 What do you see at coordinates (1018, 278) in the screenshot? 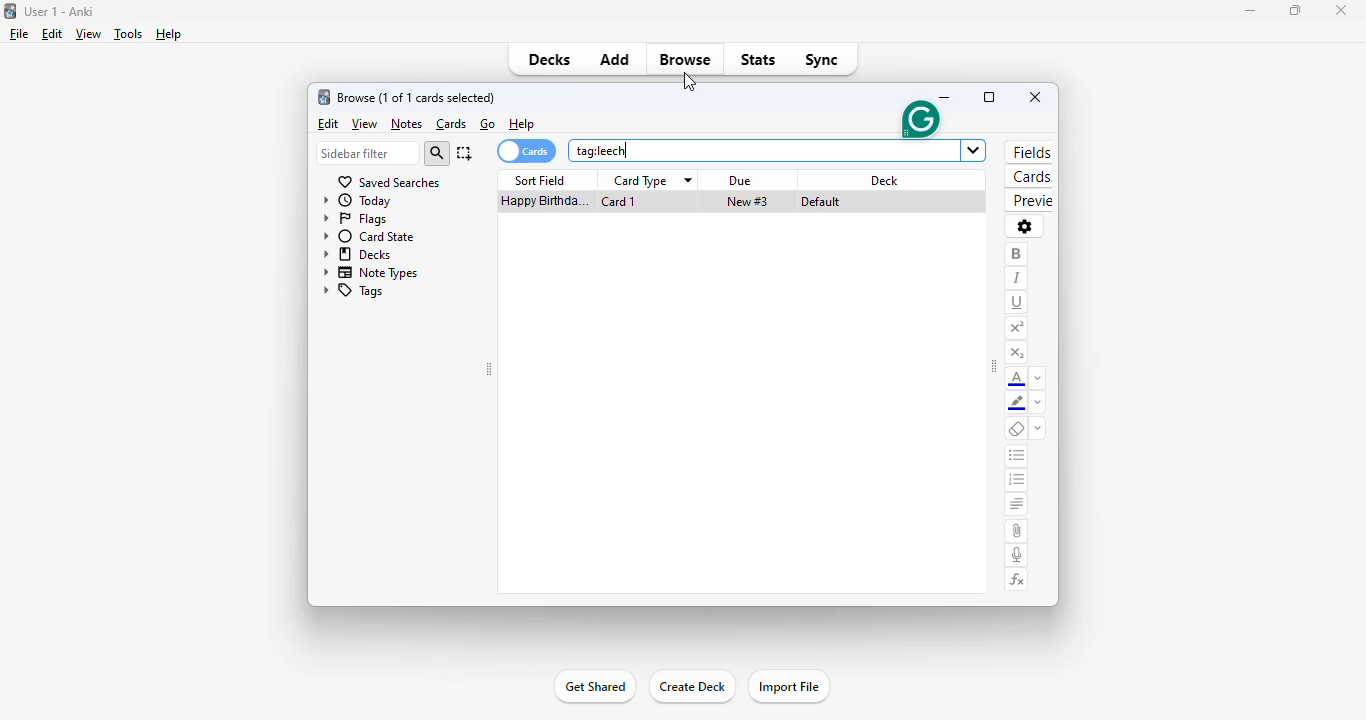
I see `italic` at bounding box center [1018, 278].